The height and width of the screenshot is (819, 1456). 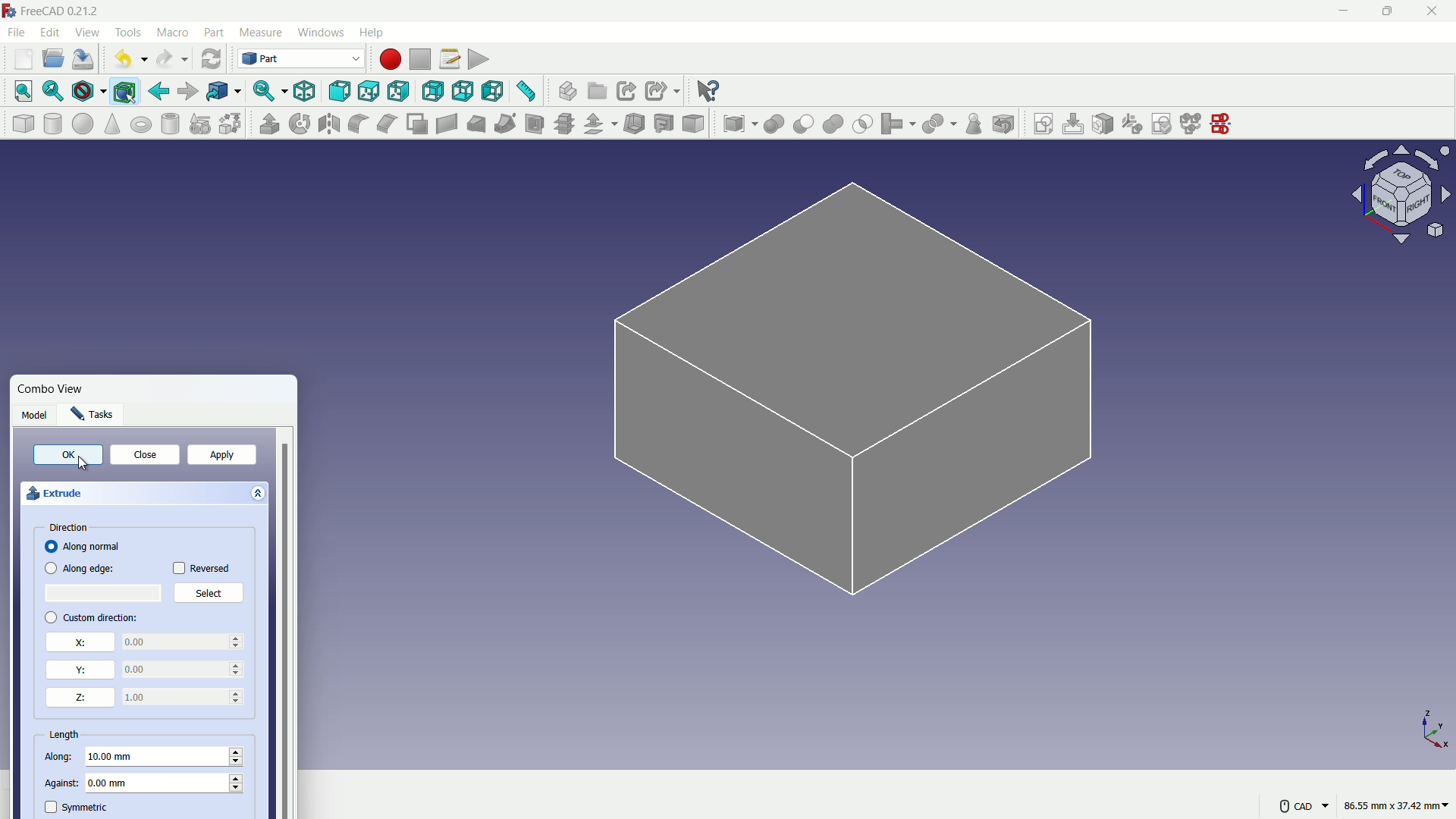 I want to click on offset, so click(x=602, y=125).